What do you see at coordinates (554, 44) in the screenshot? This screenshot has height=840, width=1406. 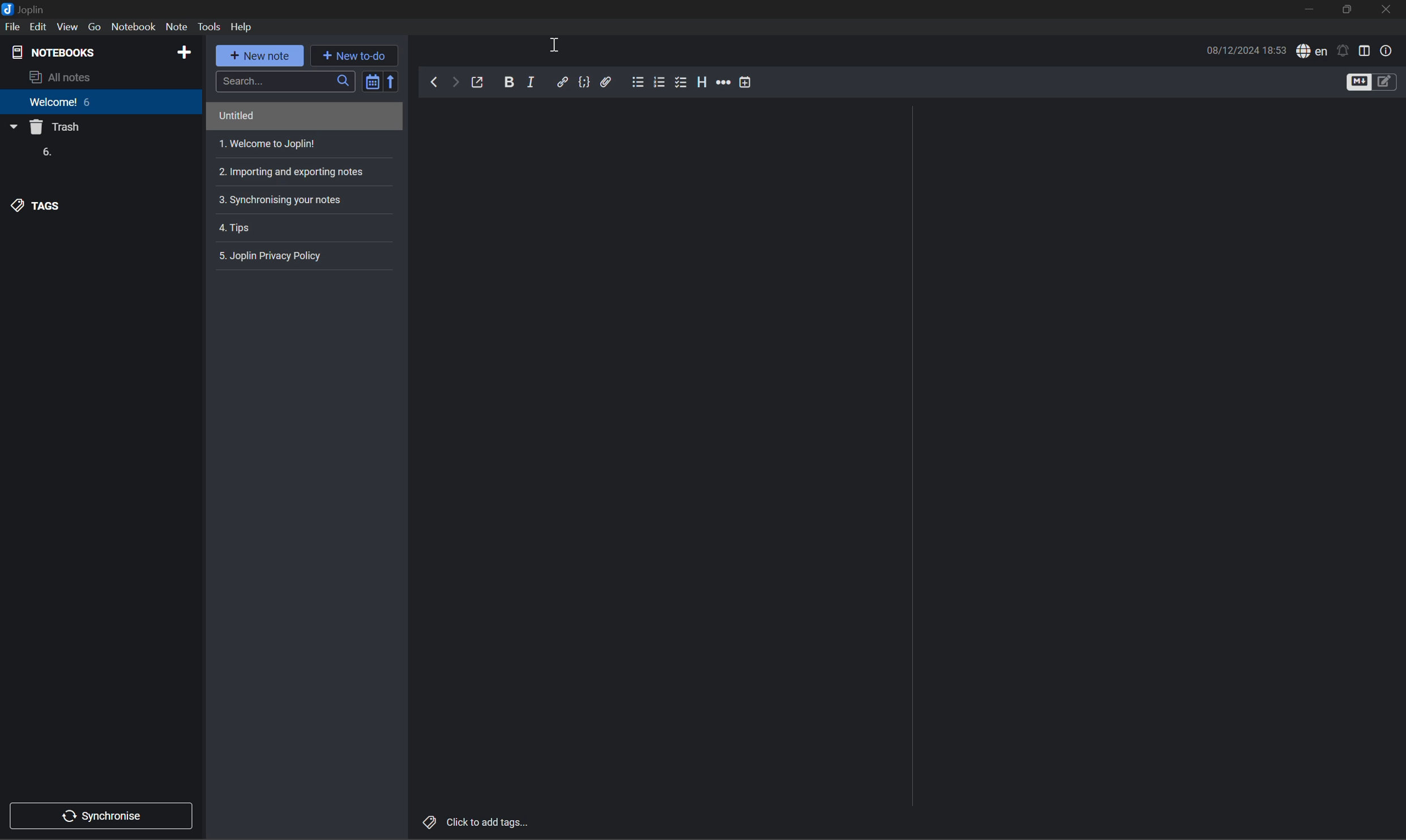 I see `Cursor` at bounding box center [554, 44].